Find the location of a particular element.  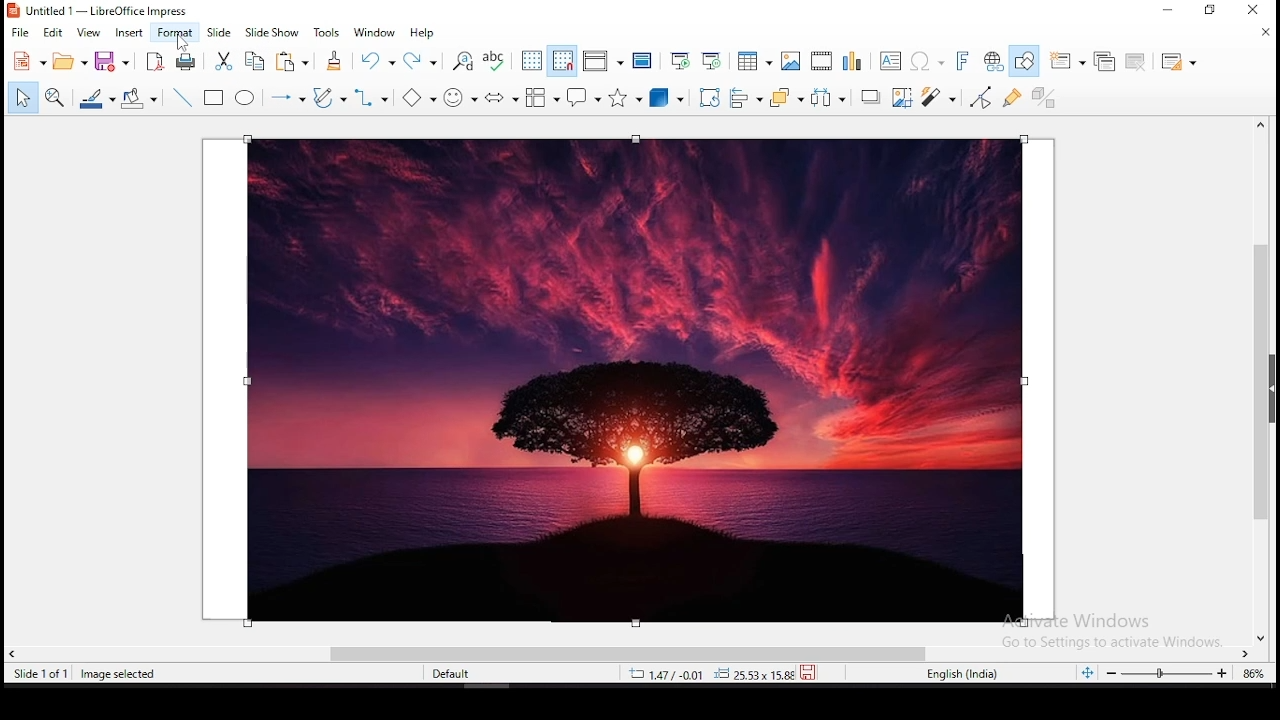

duplicate slide is located at coordinates (1102, 60).